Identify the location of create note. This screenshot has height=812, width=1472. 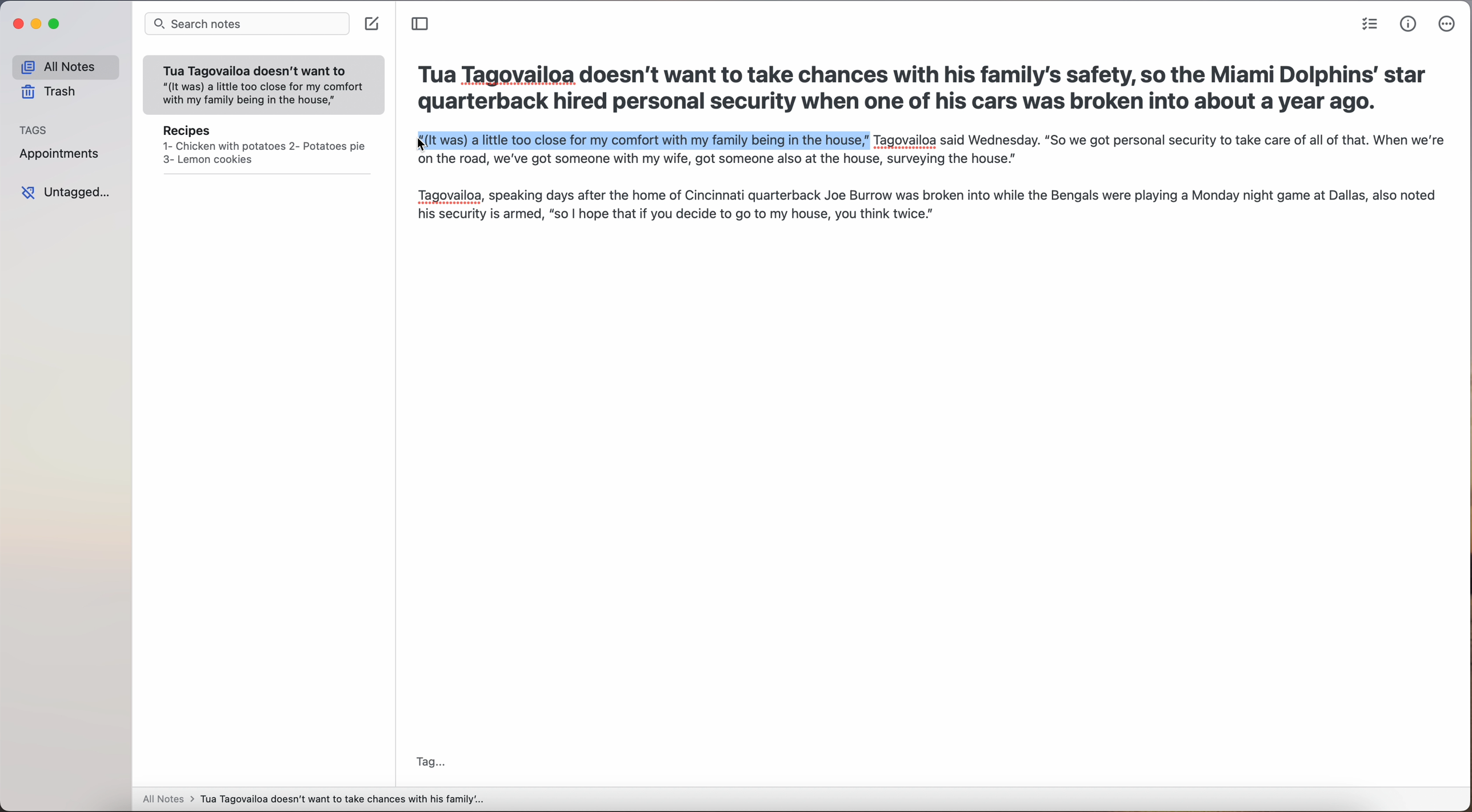
(373, 25).